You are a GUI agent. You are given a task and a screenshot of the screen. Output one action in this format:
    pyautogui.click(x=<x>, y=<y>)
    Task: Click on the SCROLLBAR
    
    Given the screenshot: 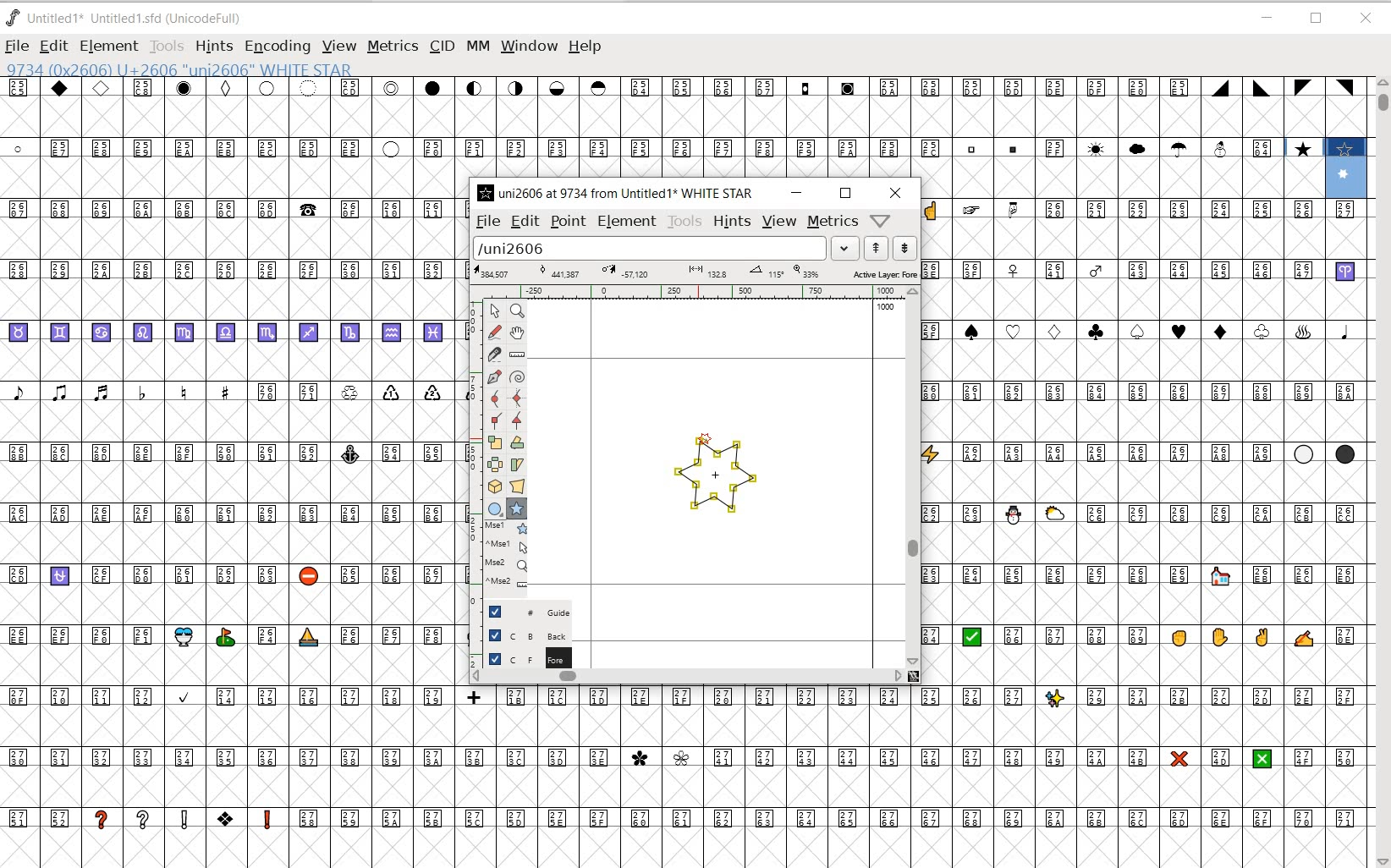 What is the action you would take?
    pyautogui.click(x=1381, y=472)
    